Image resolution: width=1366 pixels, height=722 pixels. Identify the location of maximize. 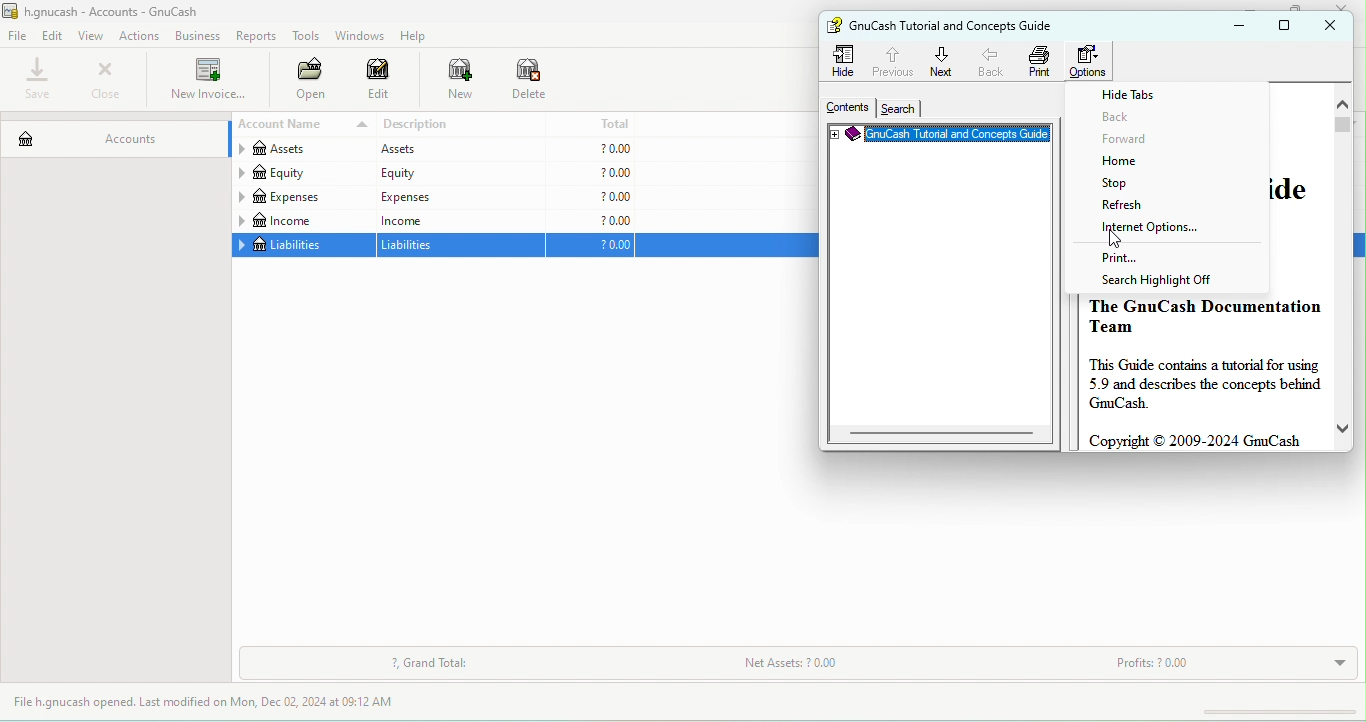
(1288, 26).